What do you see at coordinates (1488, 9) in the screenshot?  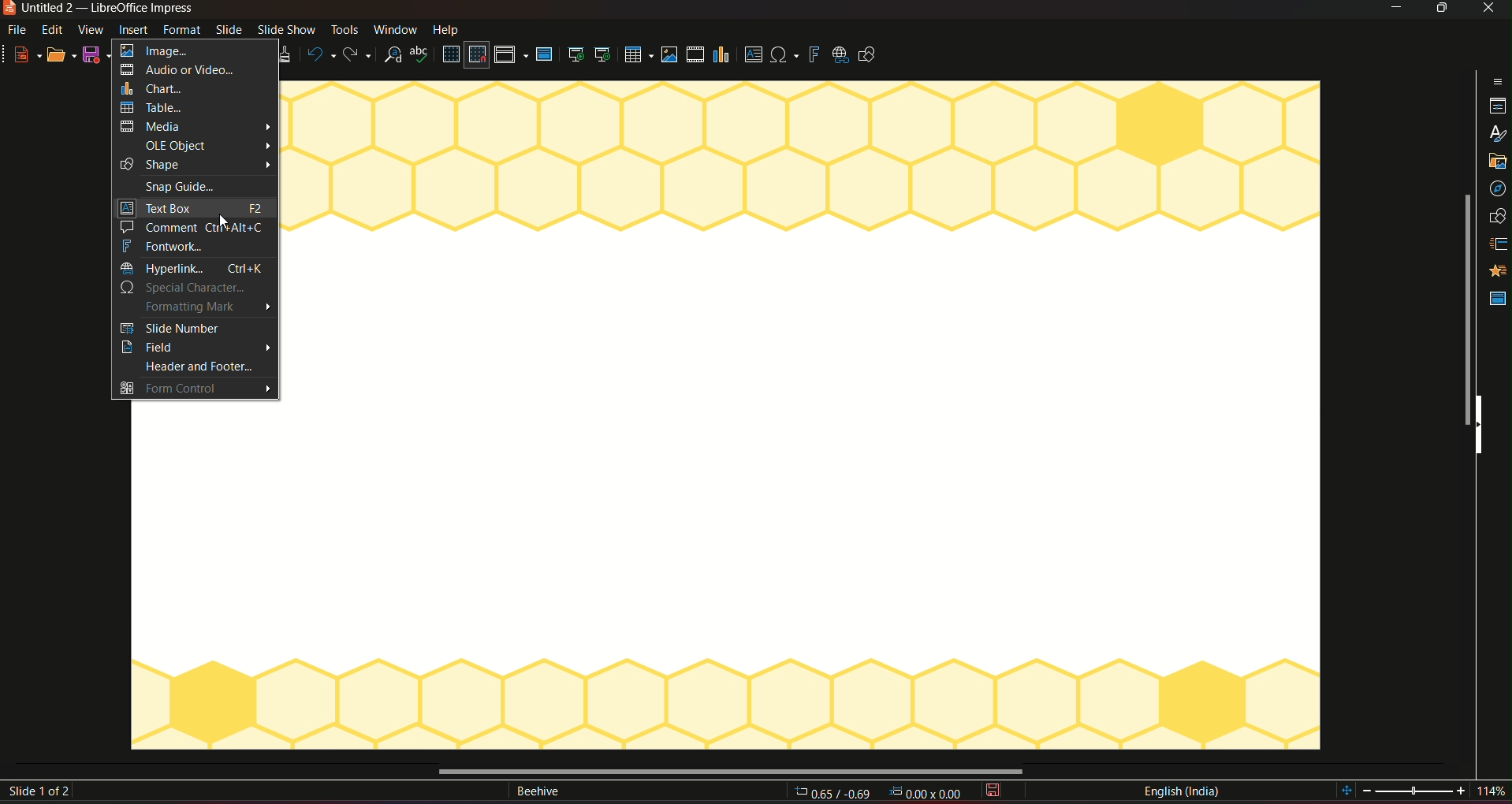 I see `close` at bounding box center [1488, 9].